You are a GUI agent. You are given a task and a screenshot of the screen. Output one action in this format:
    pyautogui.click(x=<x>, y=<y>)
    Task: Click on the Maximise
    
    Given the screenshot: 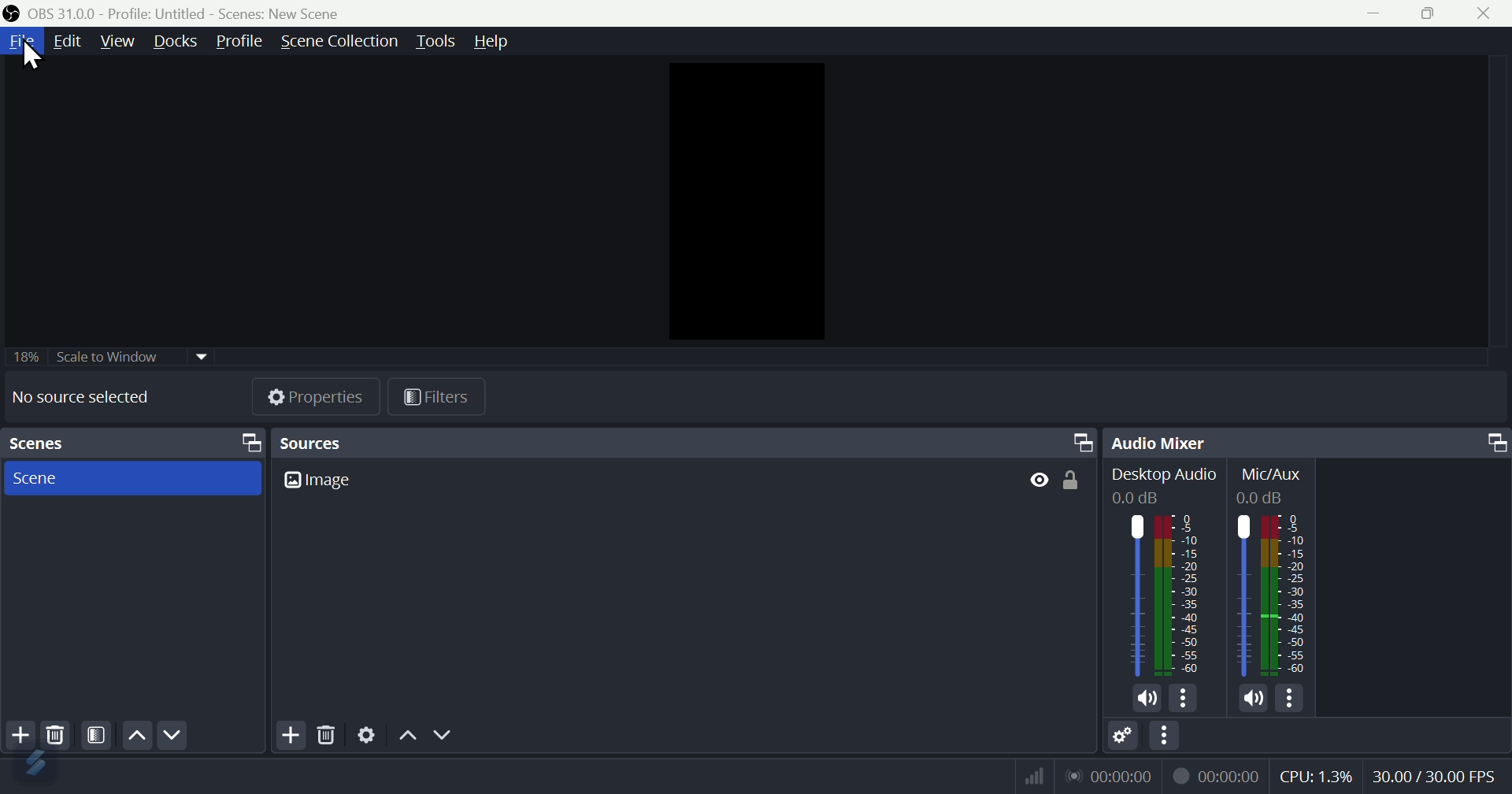 What is the action you would take?
    pyautogui.click(x=1434, y=13)
    